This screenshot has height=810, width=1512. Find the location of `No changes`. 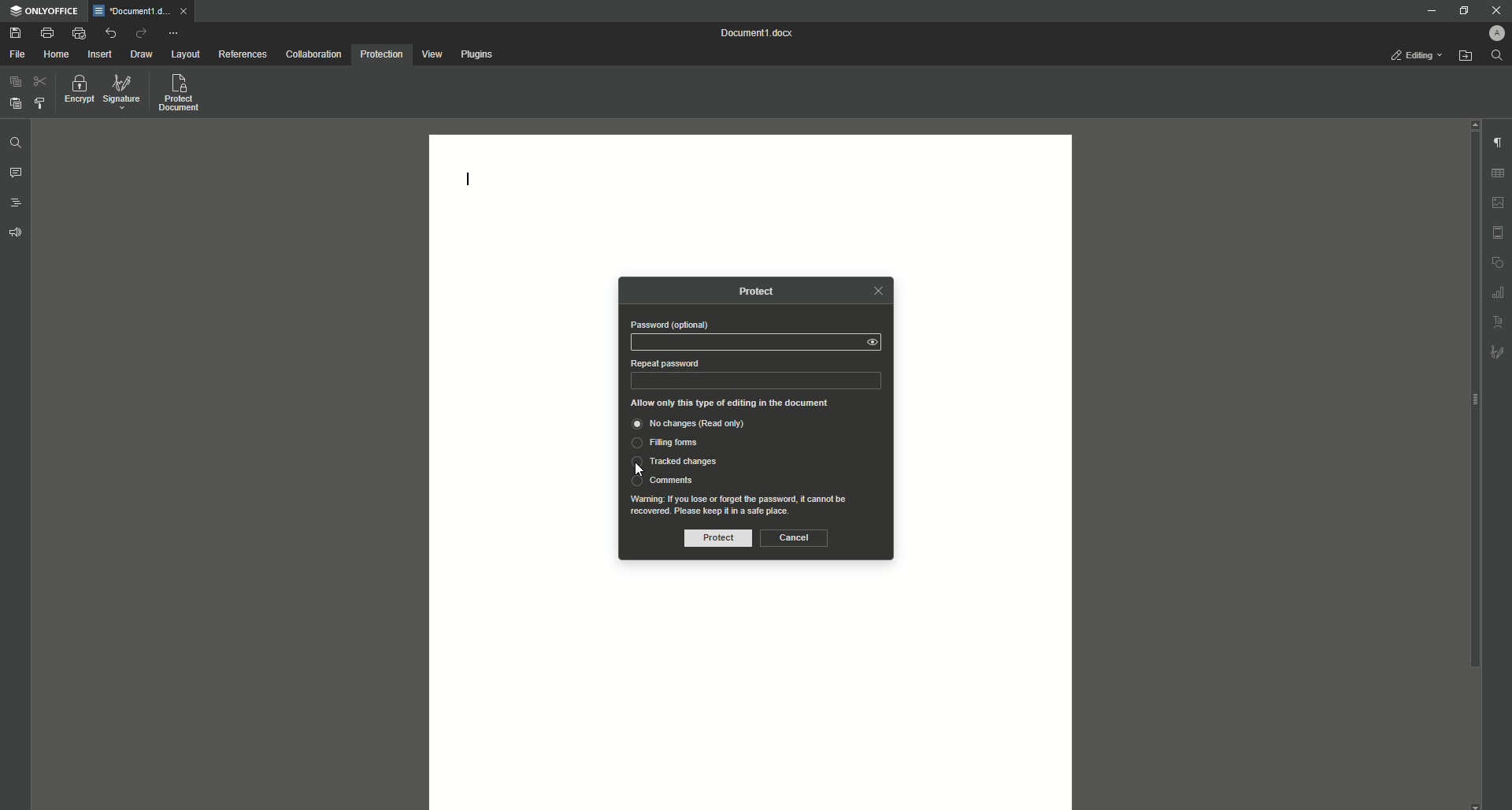

No changes is located at coordinates (695, 422).